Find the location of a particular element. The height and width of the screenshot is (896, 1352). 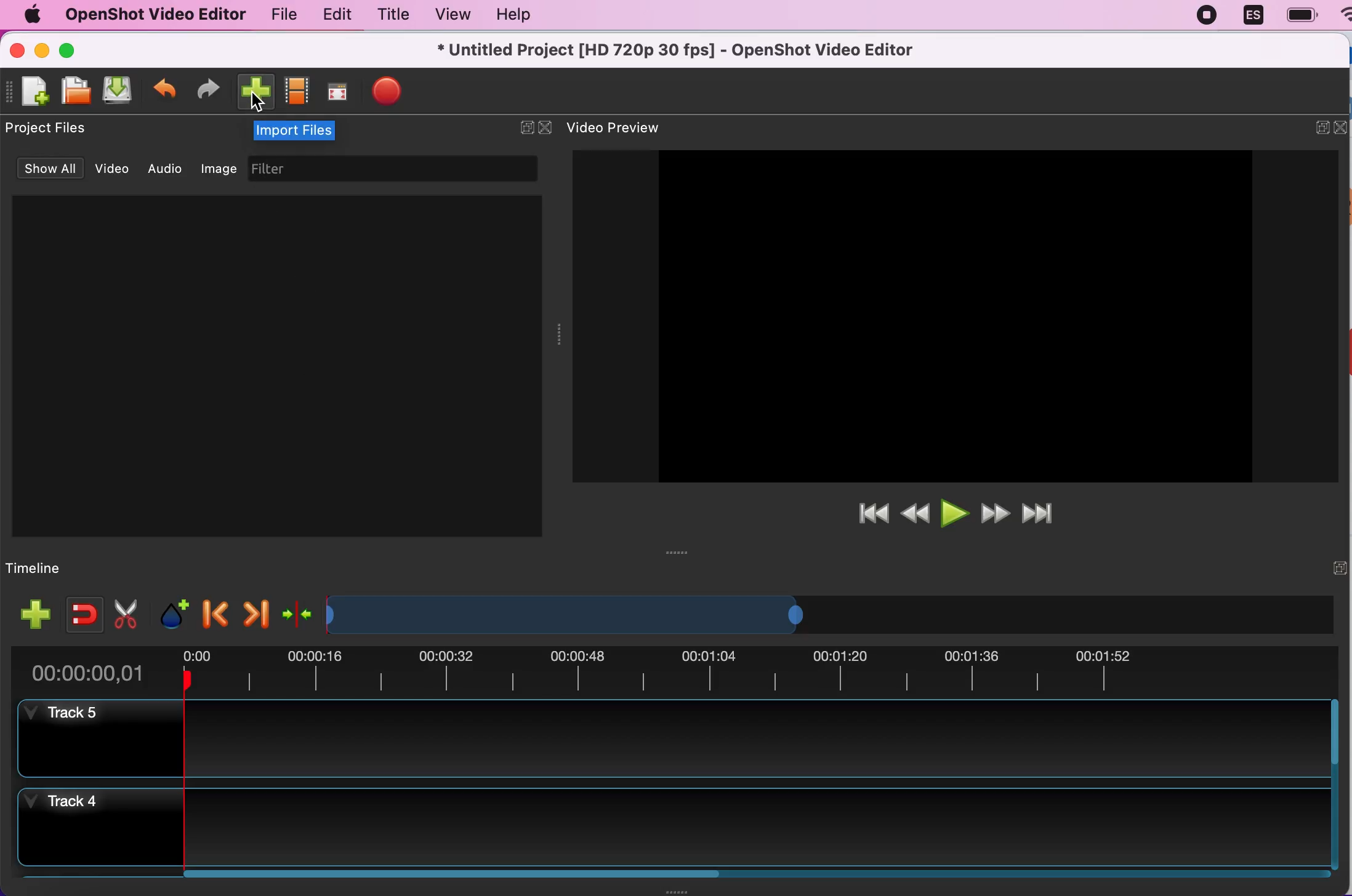

choose profile is located at coordinates (301, 90).